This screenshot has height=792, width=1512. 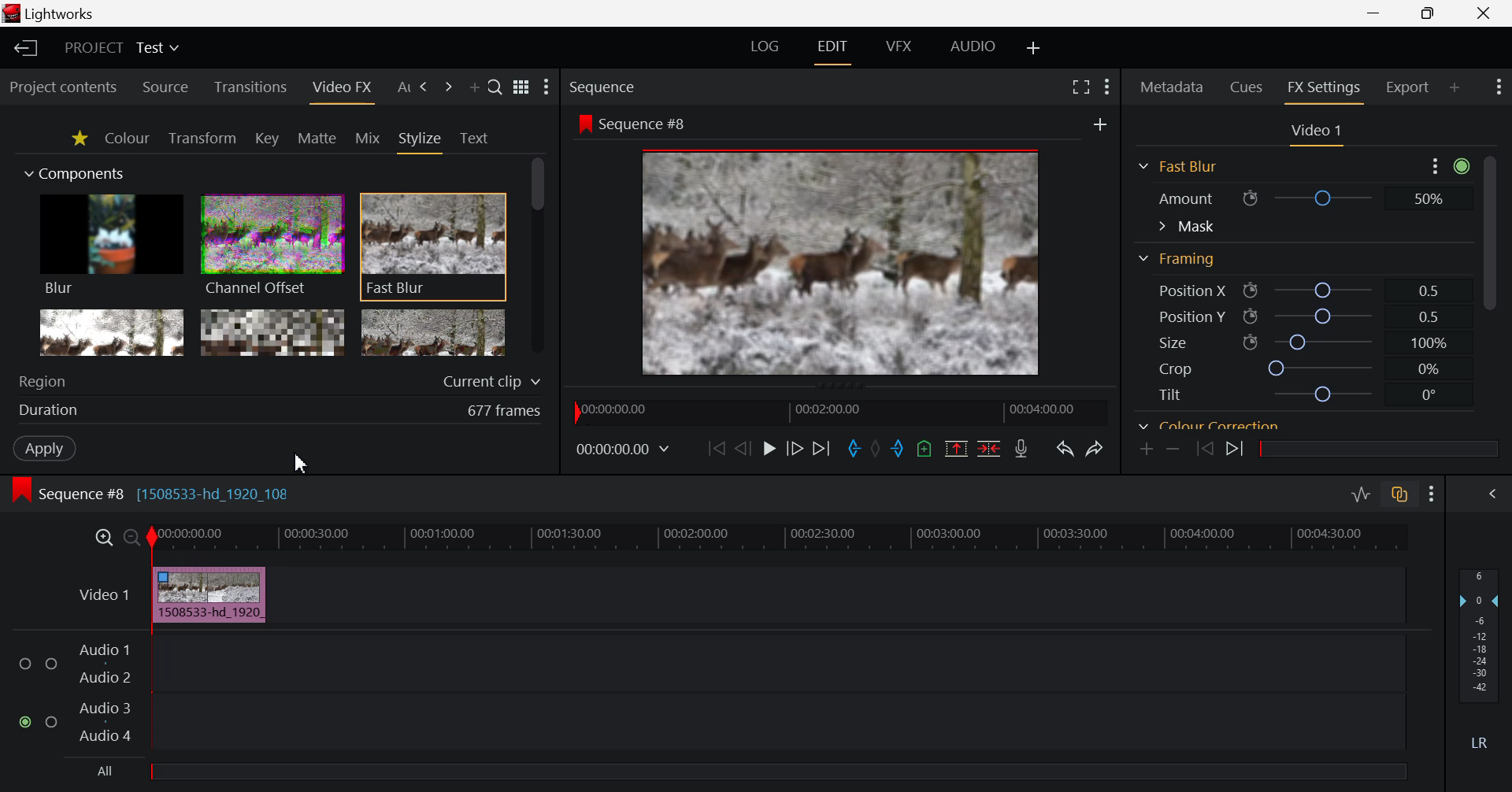 I want to click on Go Back, so click(x=743, y=449).